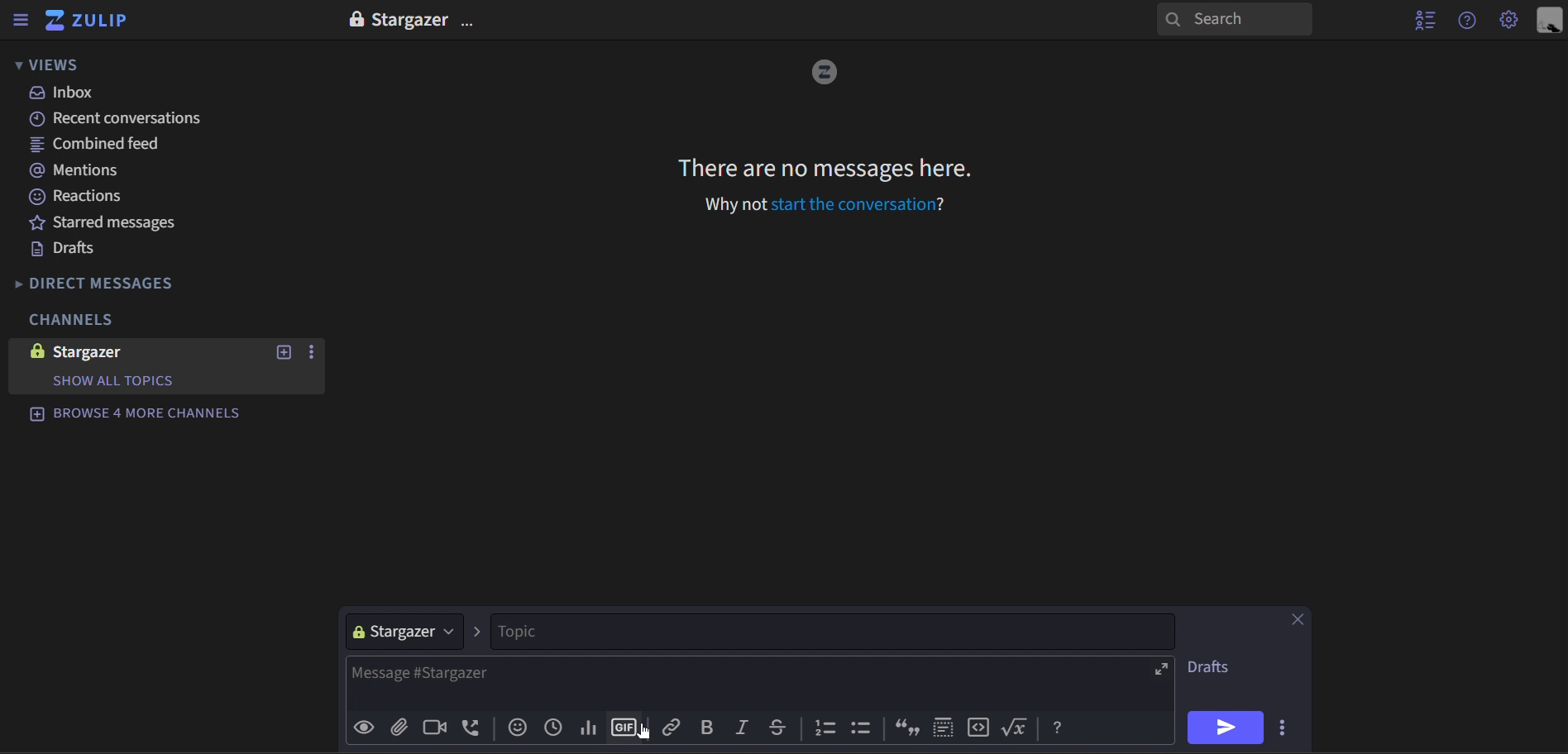 This screenshot has height=754, width=1568. Describe the element at coordinates (120, 224) in the screenshot. I see `starred messages` at that location.